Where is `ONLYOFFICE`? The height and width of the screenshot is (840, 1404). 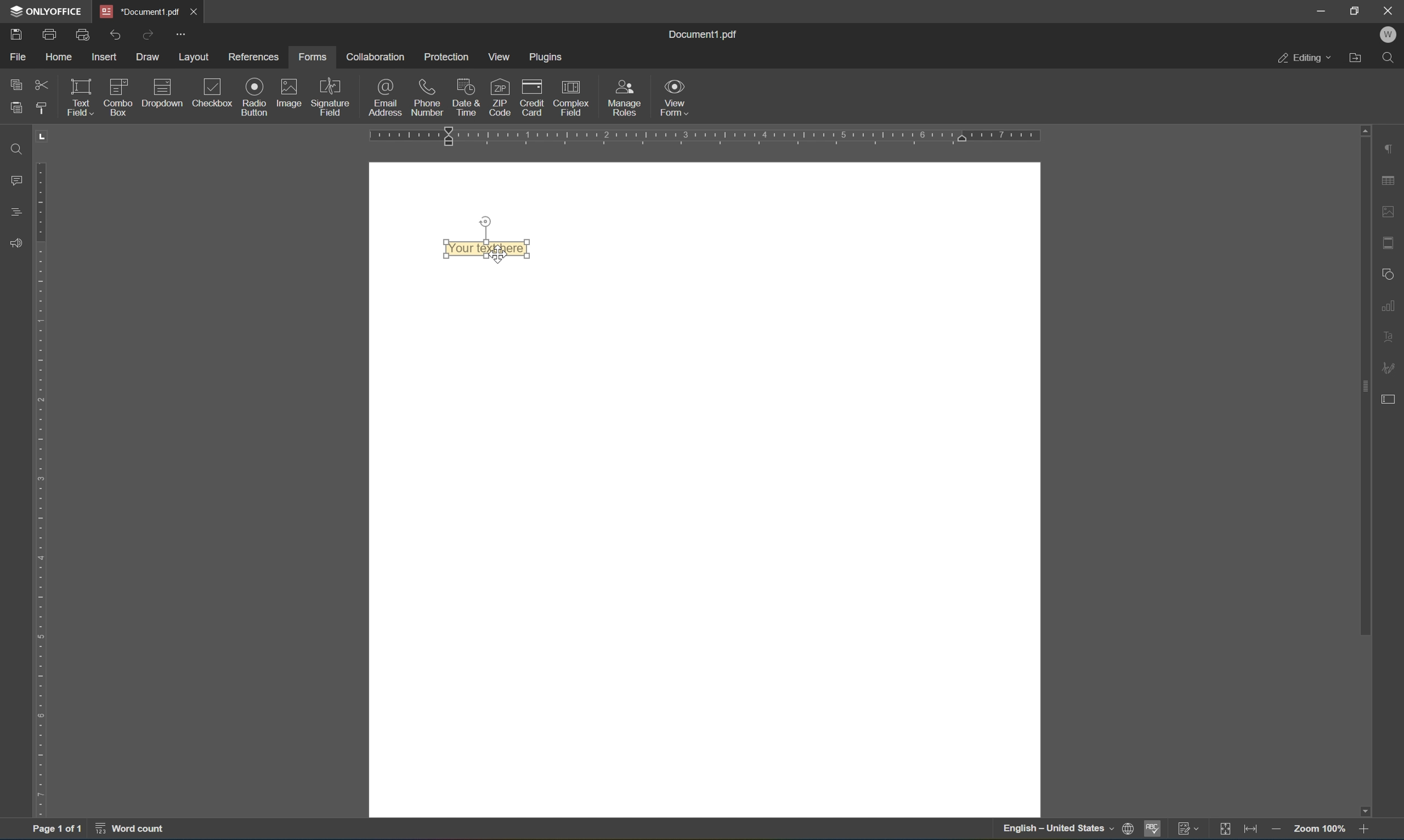
ONLYOFFICE is located at coordinates (48, 11).